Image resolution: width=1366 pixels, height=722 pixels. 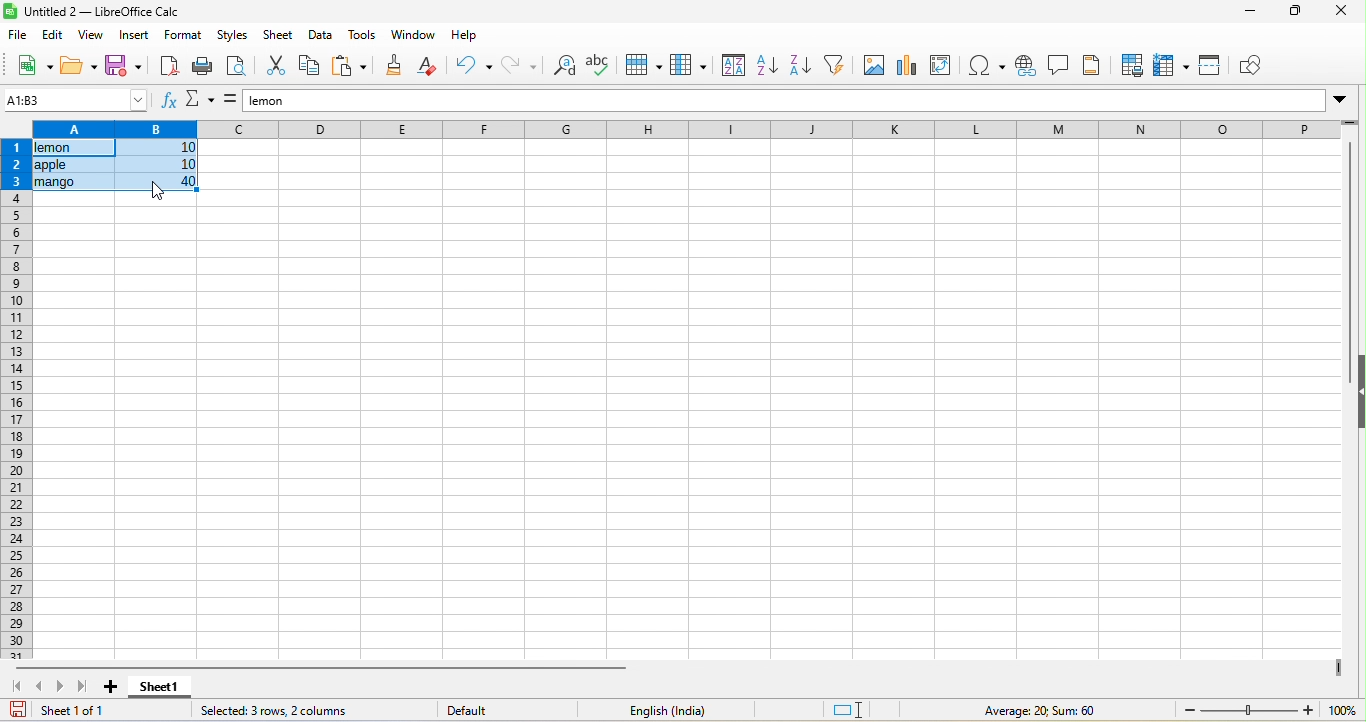 What do you see at coordinates (1247, 12) in the screenshot?
I see `minimize` at bounding box center [1247, 12].